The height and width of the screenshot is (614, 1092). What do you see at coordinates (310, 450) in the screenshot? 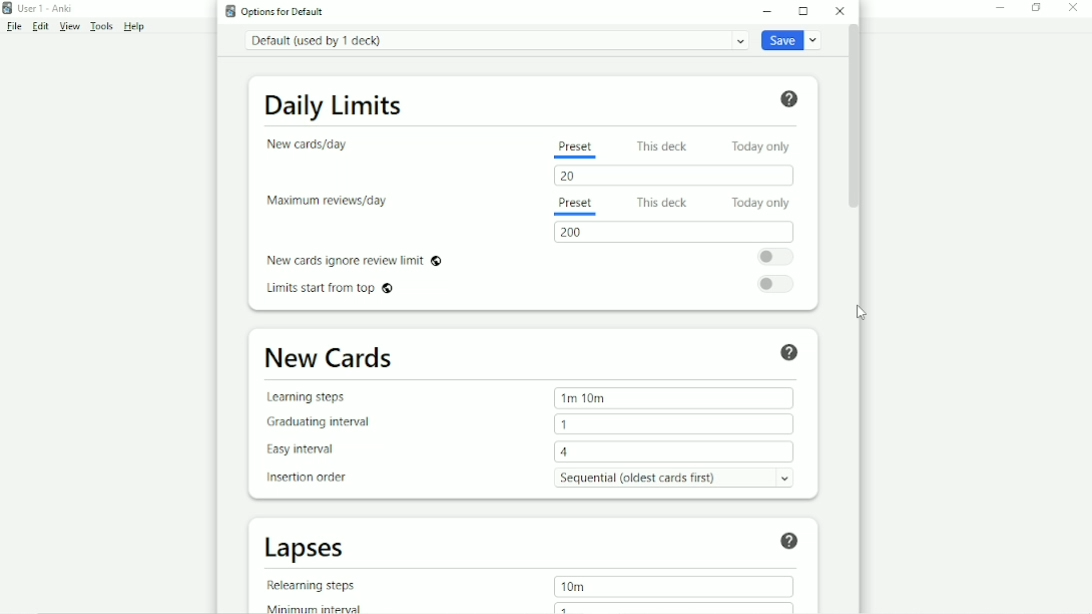
I see `Easy interval` at bounding box center [310, 450].